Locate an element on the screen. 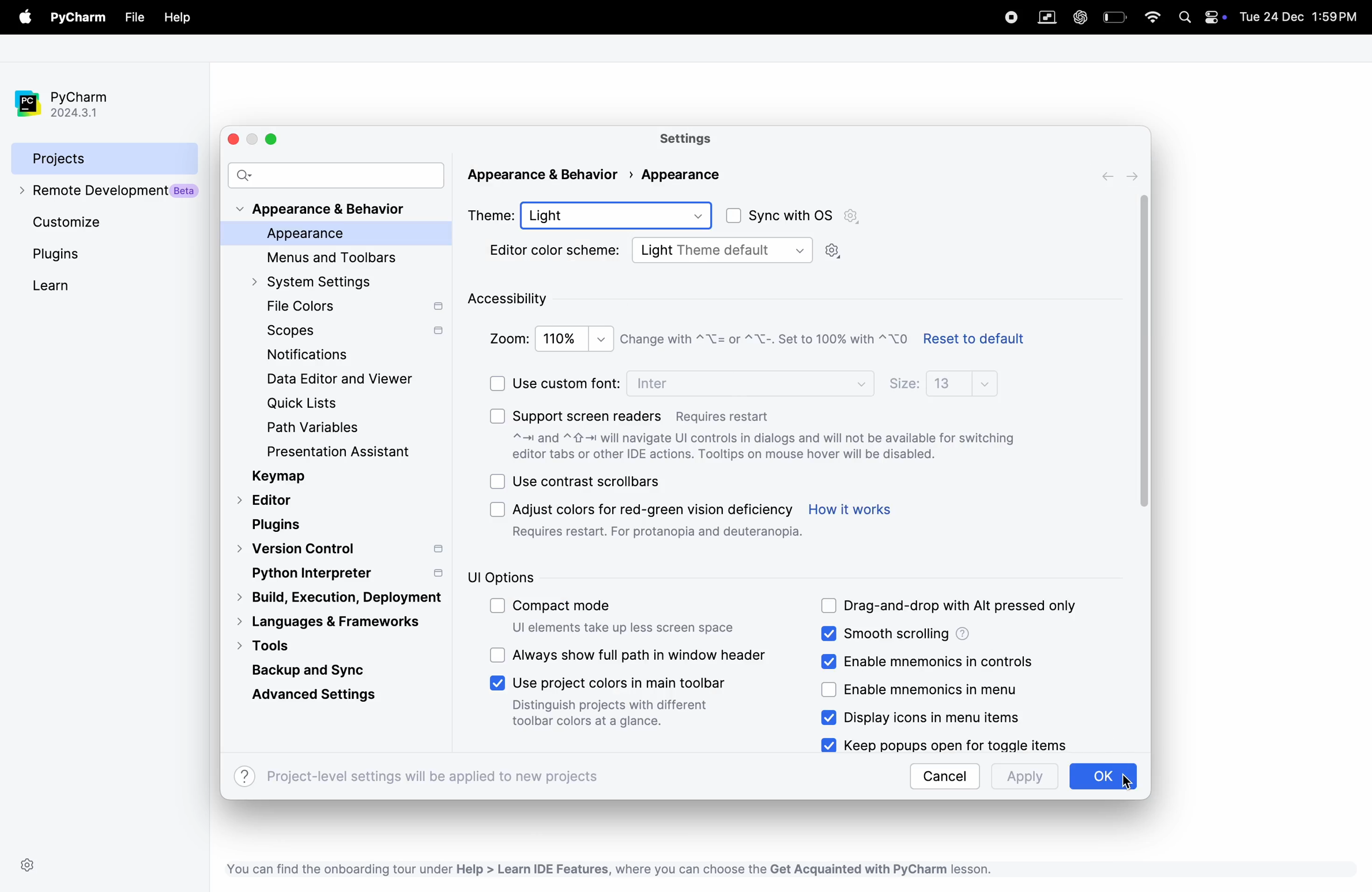 The width and height of the screenshot is (1372, 892). file colors is located at coordinates (350, 307).